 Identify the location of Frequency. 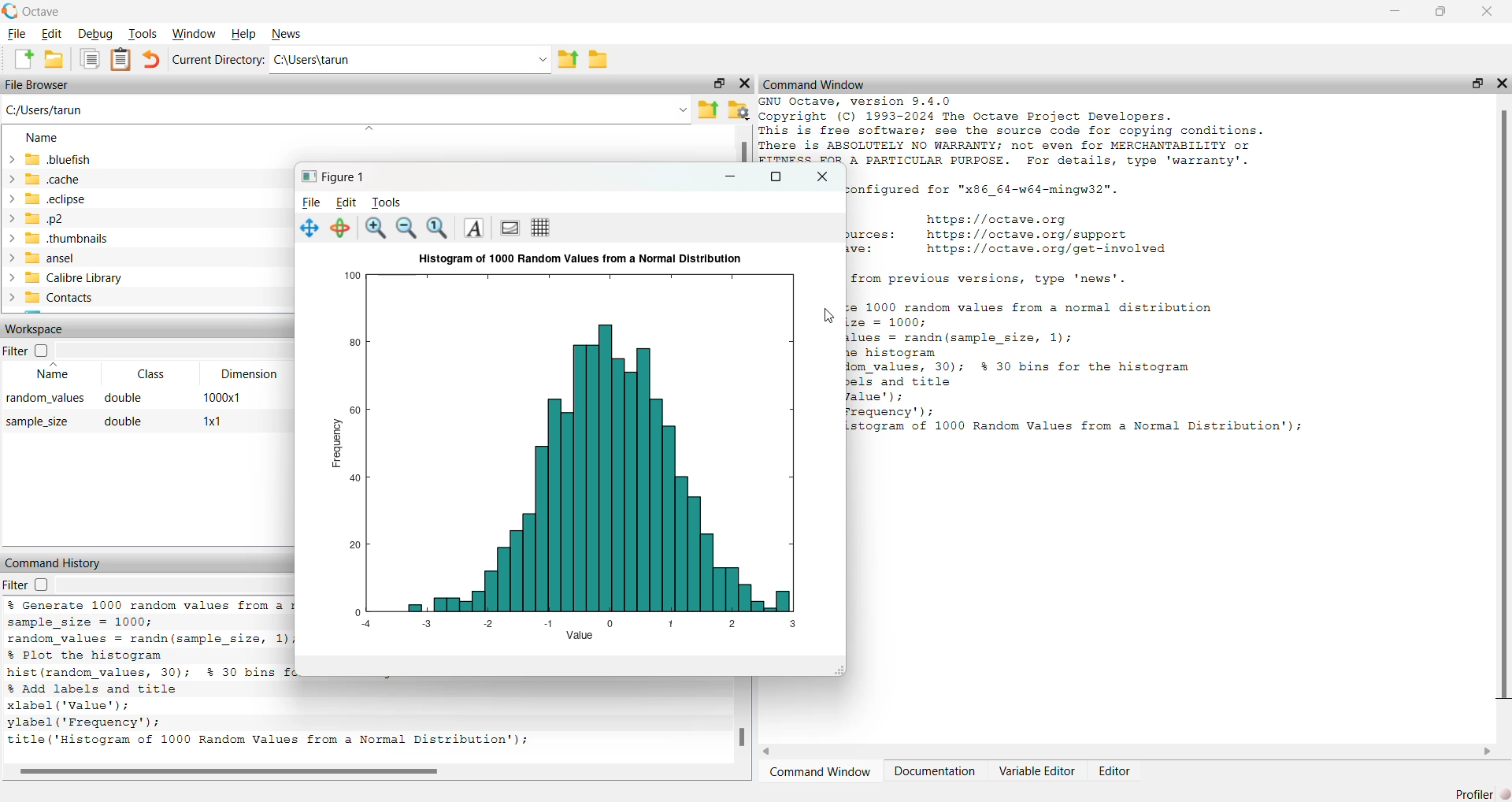
(336, 441).